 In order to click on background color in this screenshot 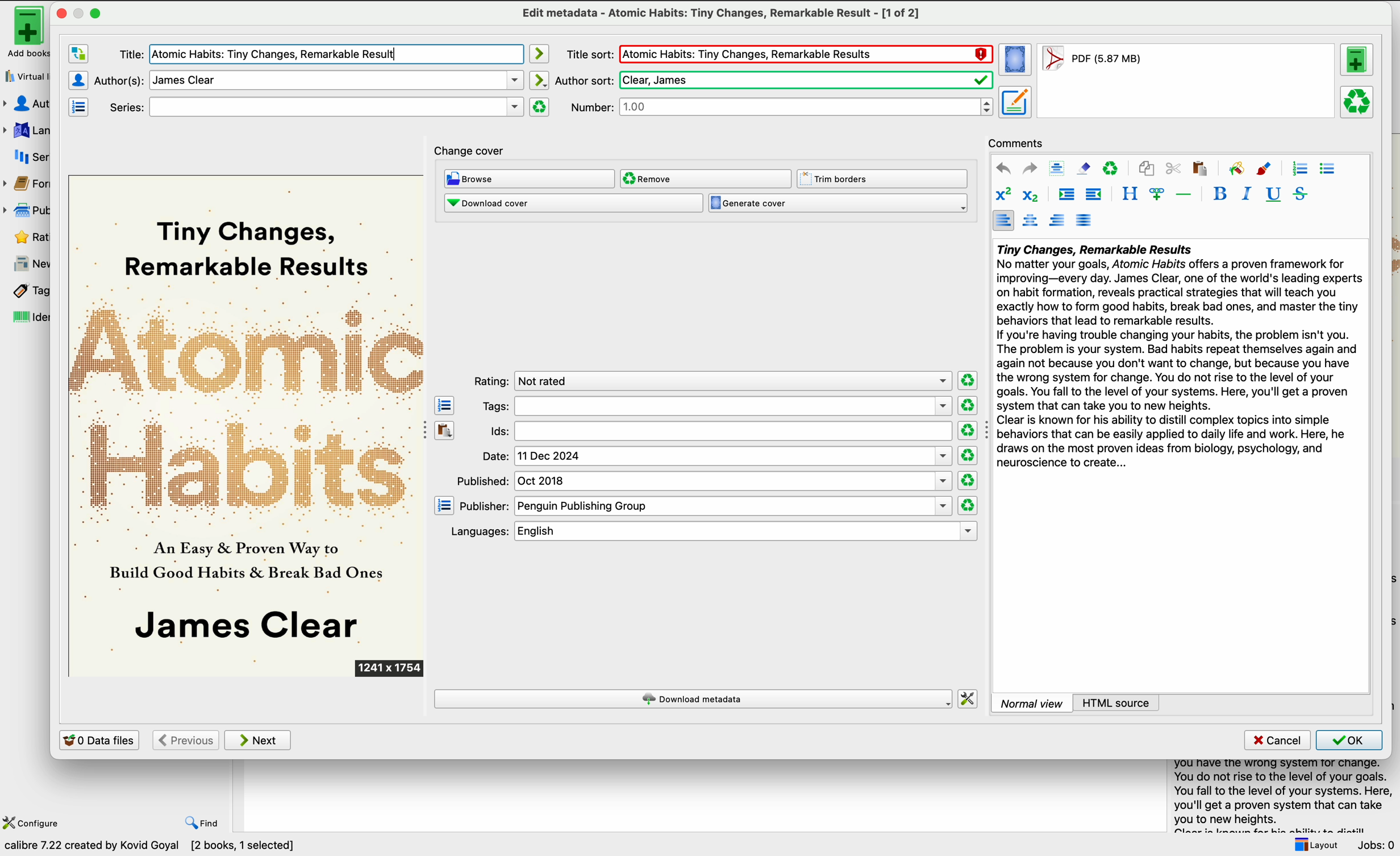, I will do `click(1236, 168)`.